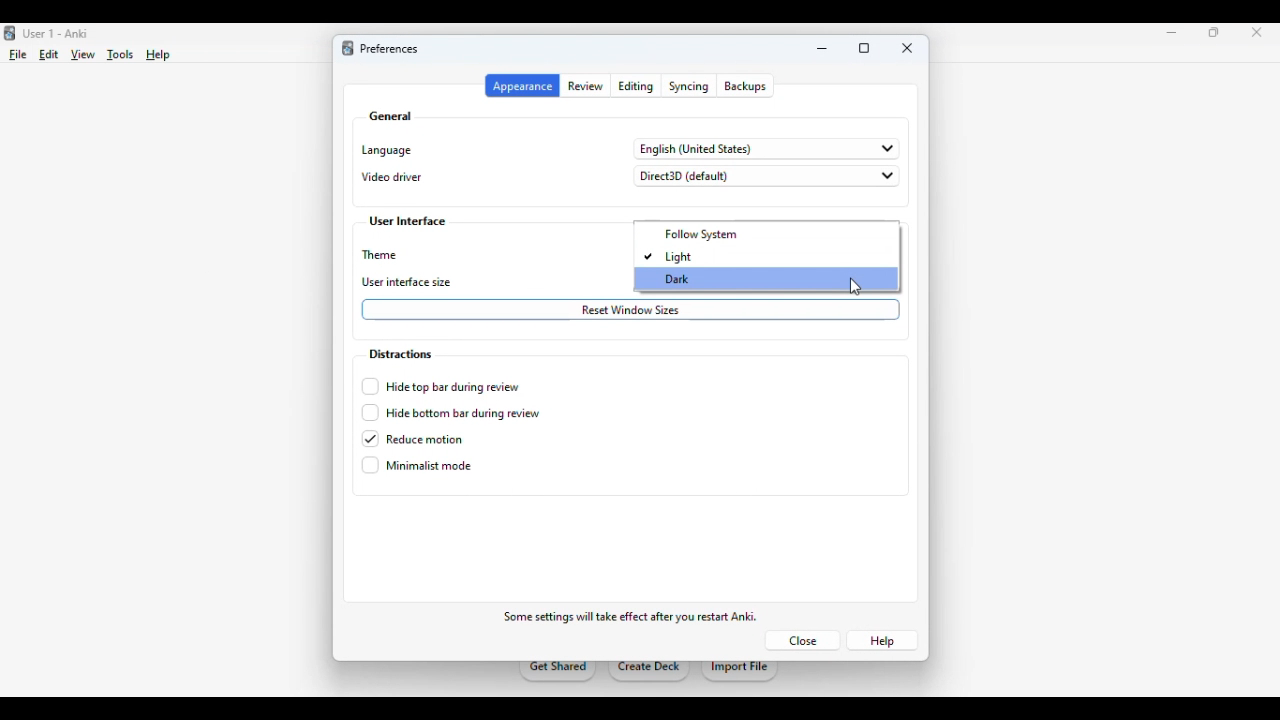 The image size is (1280, 720). I want to click on backups, so click(745, 86).